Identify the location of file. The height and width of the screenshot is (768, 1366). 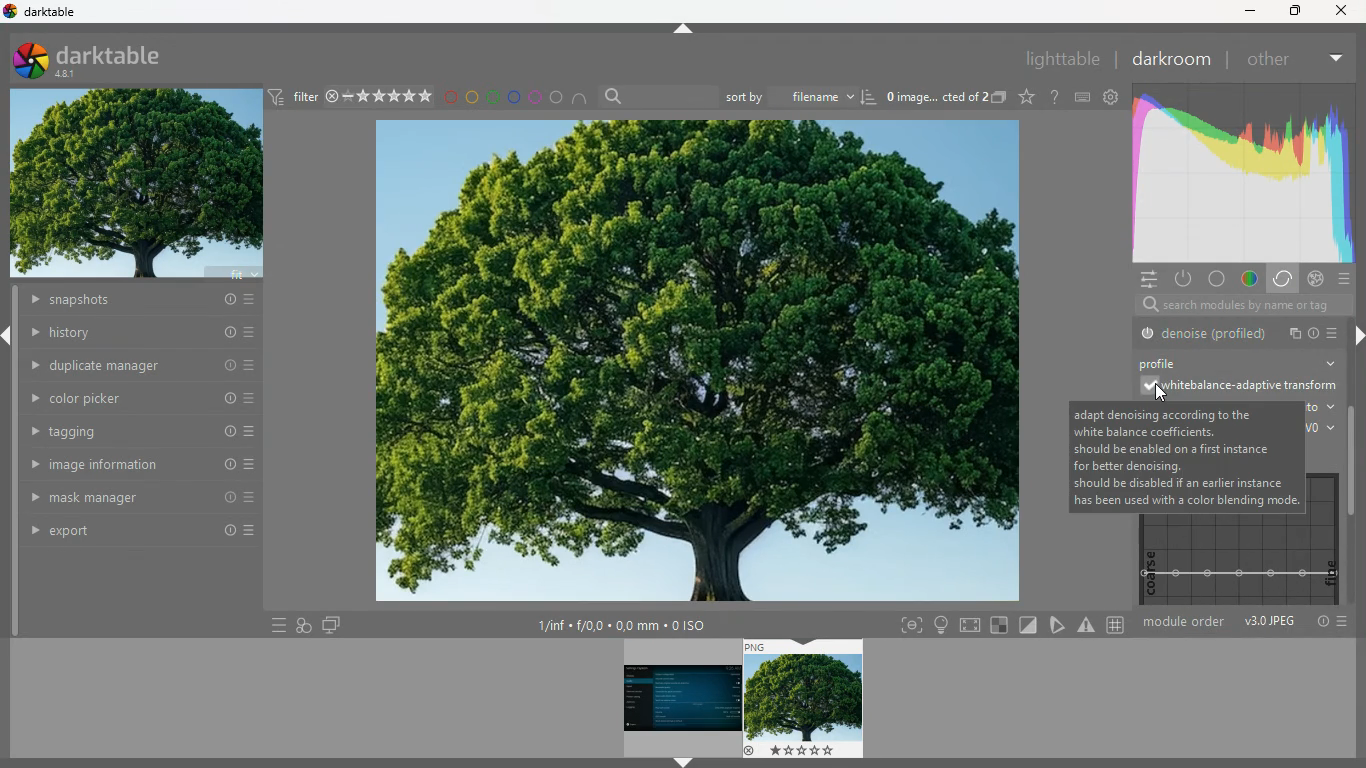
(1292, 334).